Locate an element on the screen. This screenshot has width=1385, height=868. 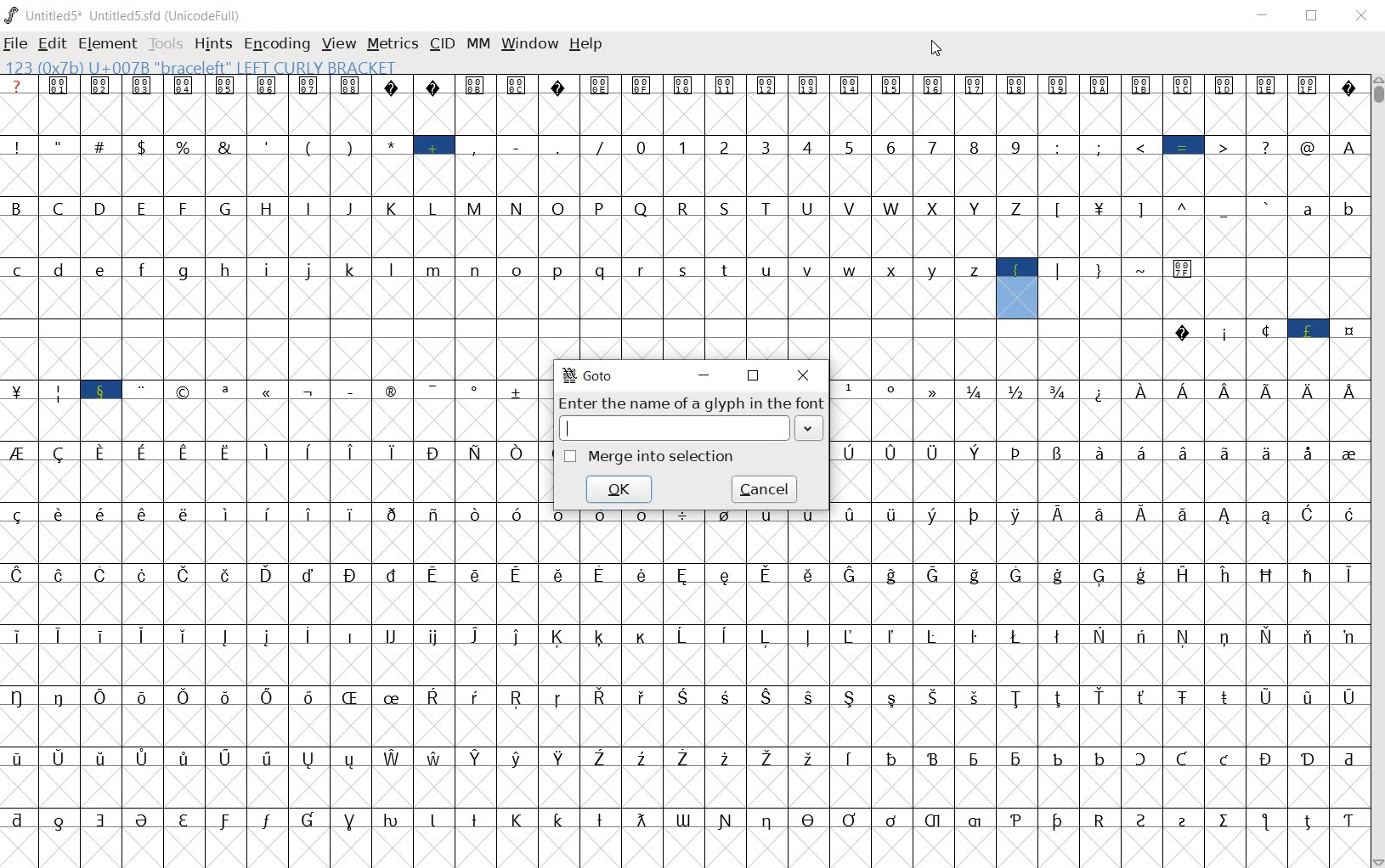
WINDOW is located at coordinates (530, 42).